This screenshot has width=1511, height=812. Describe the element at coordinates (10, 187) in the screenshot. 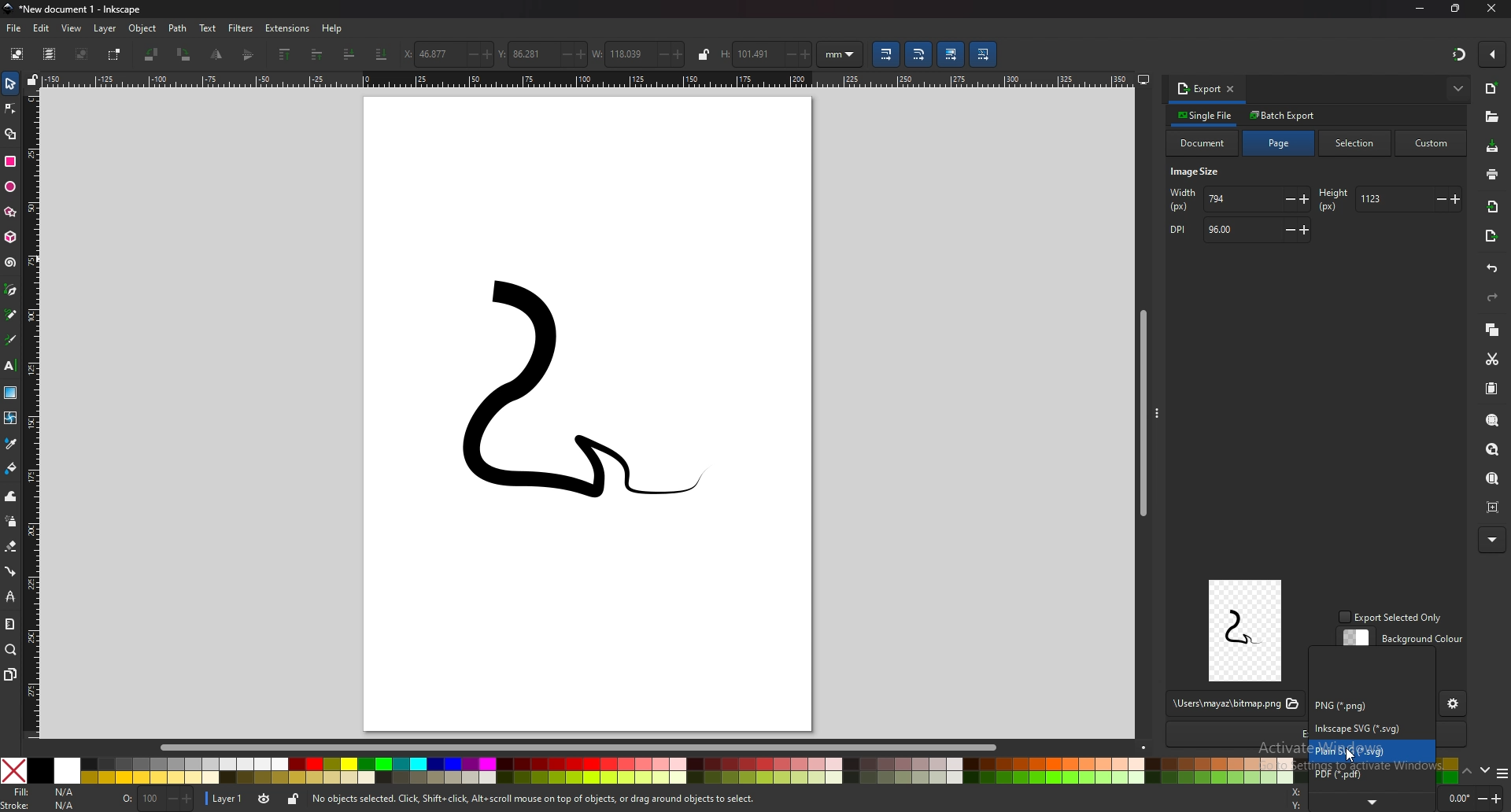

I see `ellipse` at that location.